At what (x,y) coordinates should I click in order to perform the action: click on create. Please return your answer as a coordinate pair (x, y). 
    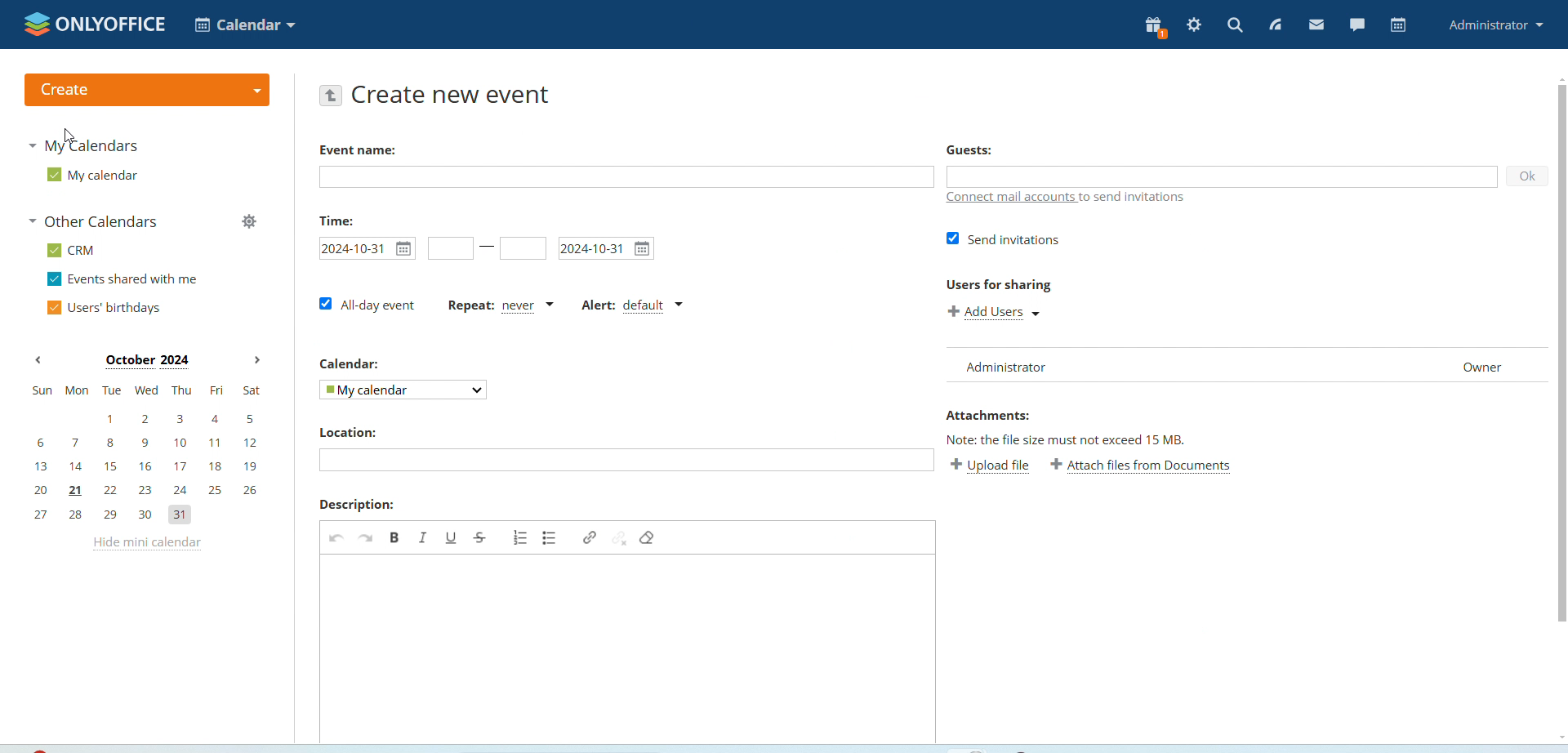
    Looking at the image, I should click on (147, 90).